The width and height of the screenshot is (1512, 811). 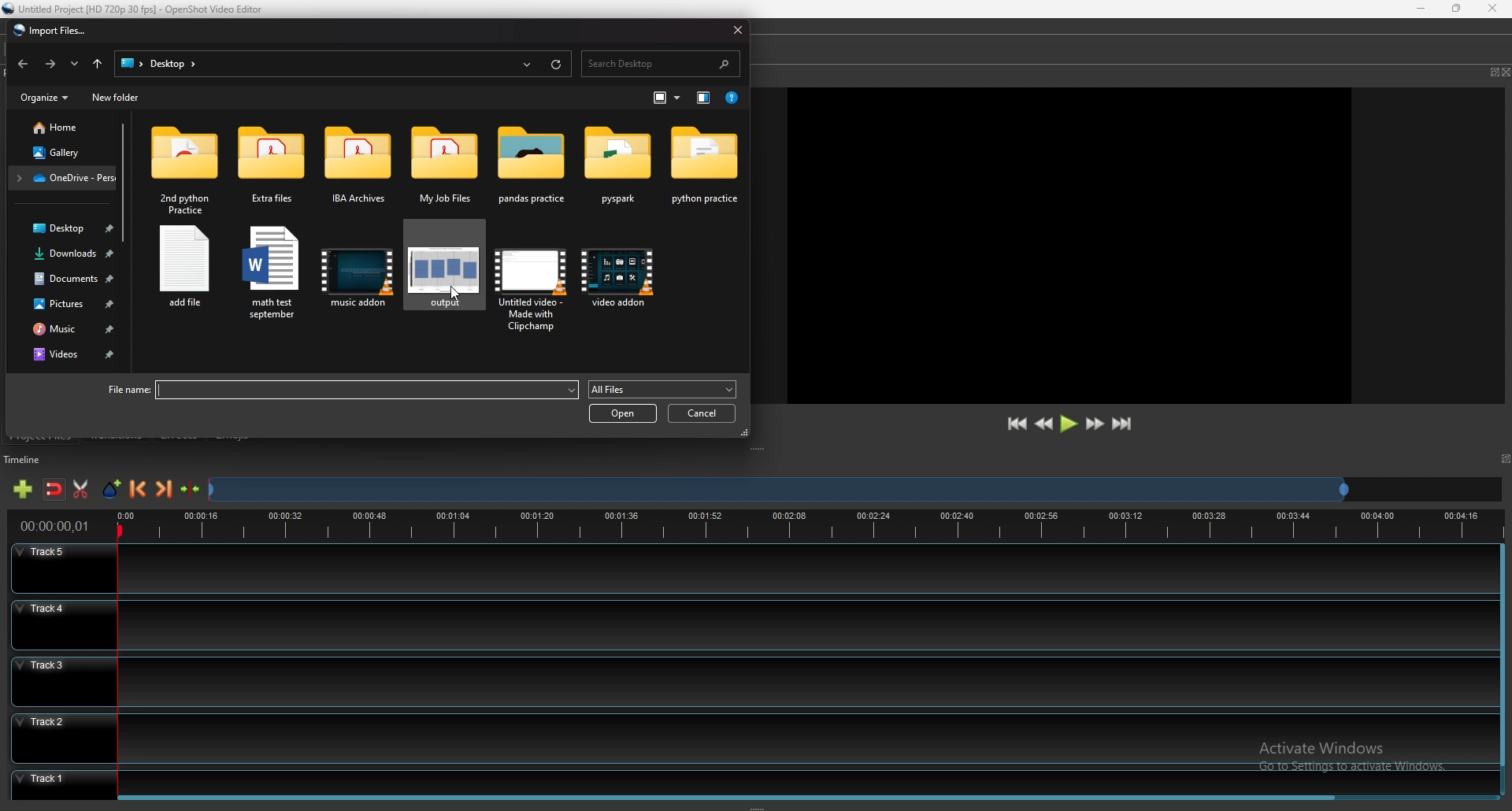 What do you see at coordinates (139, 489) in the screenshot?
I see `previous marker` at bounding box center [139, 489].